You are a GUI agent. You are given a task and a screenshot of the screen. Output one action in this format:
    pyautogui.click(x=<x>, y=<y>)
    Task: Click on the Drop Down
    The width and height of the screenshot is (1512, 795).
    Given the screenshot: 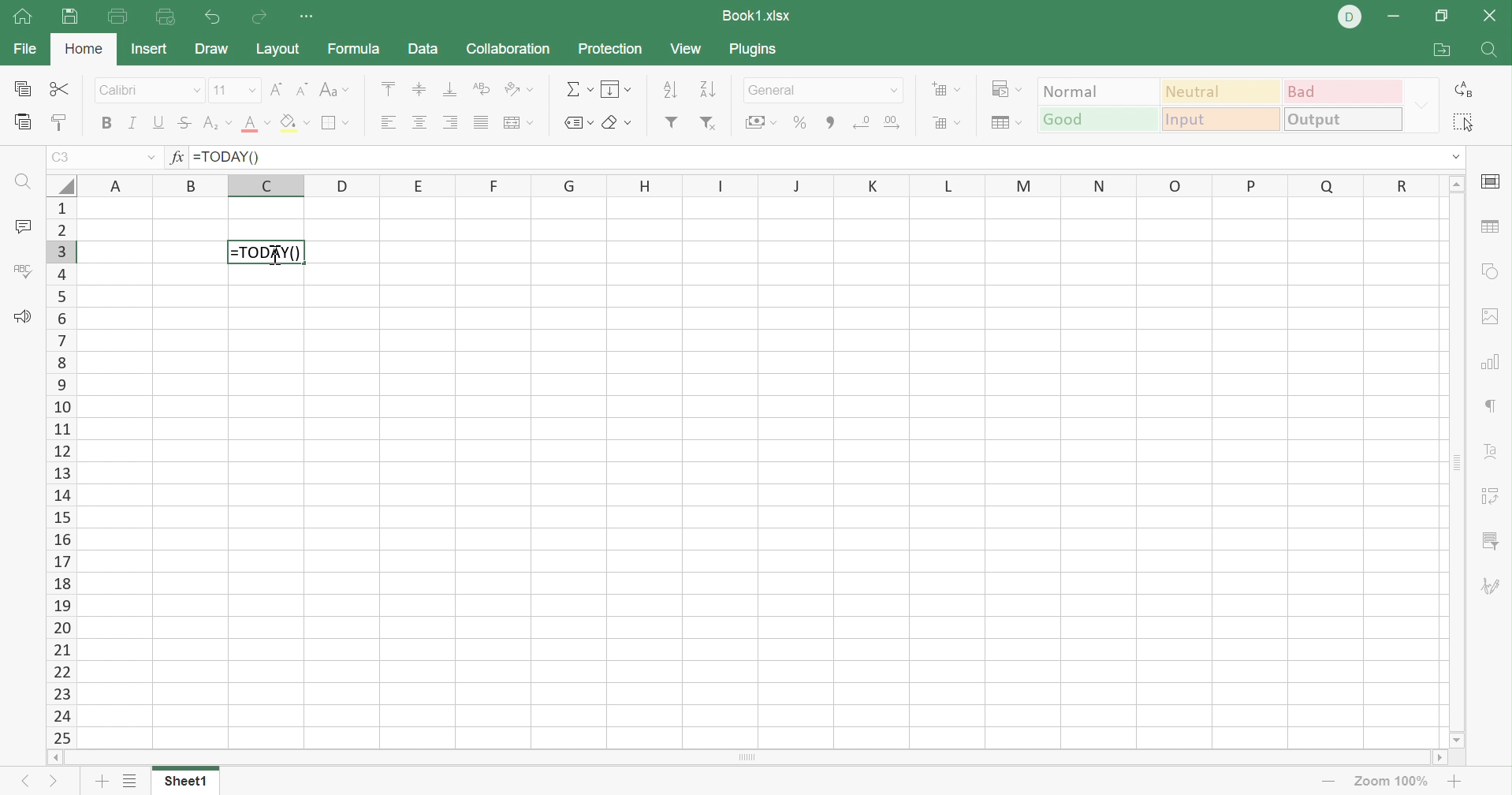 What is the action you would take?
    pyautogui.click(x=1455, y=156)
    